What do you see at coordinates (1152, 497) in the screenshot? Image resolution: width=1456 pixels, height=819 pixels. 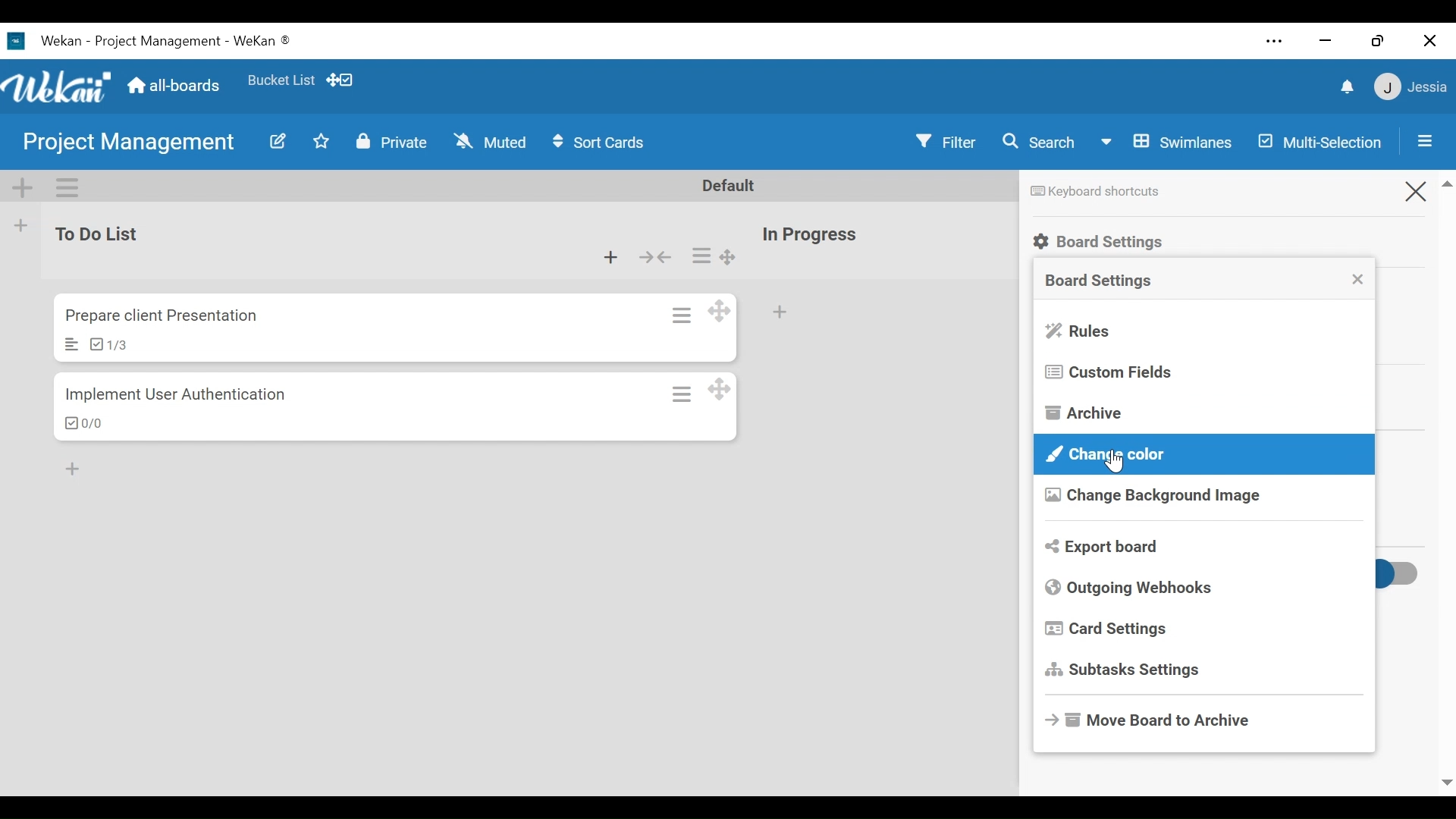 I see `Change background image` at bounding box center [1152, 497].